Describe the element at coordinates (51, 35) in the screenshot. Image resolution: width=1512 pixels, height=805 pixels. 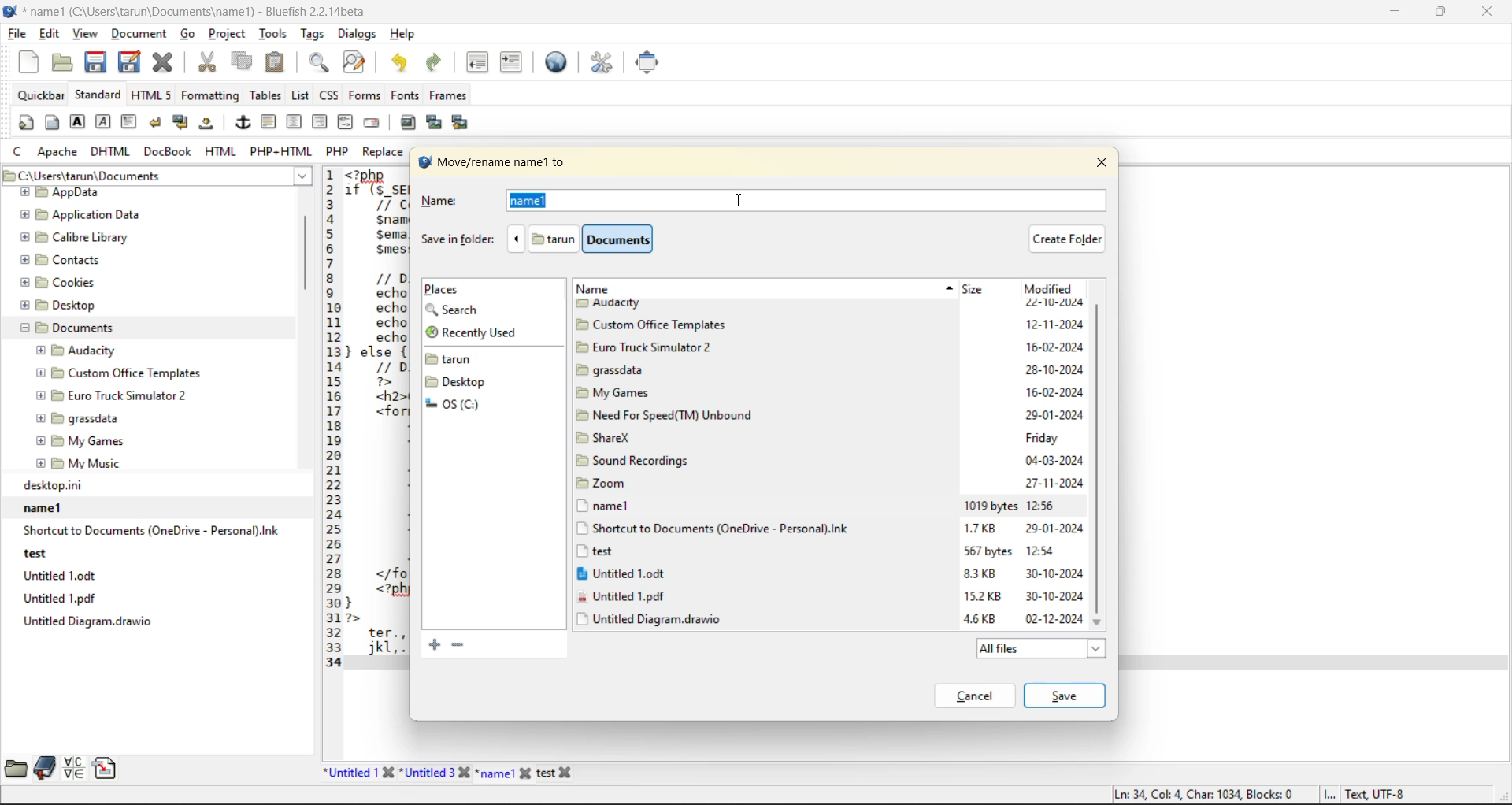
I see `edit` at that location.